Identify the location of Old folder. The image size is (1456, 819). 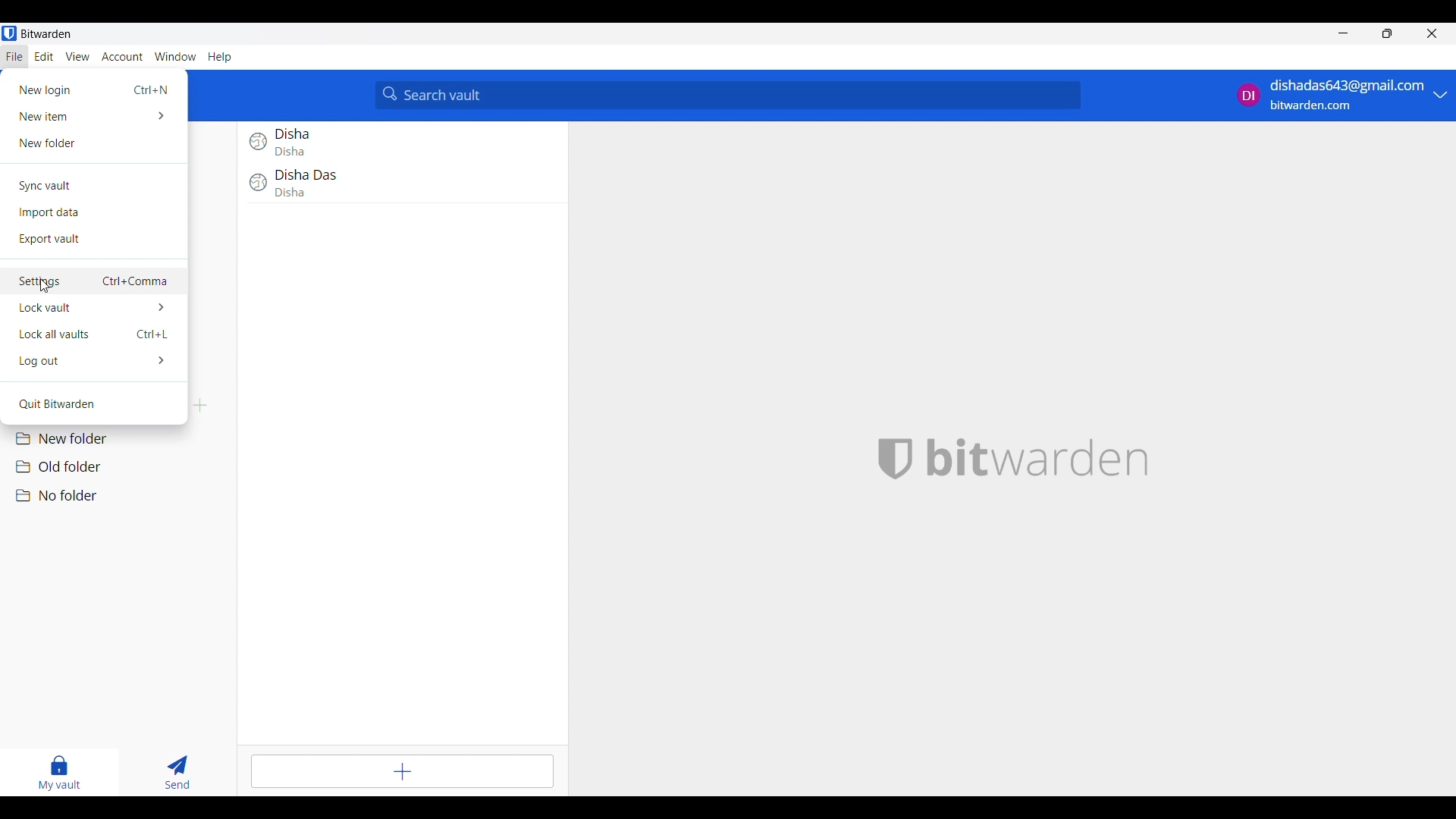
(121, 466).